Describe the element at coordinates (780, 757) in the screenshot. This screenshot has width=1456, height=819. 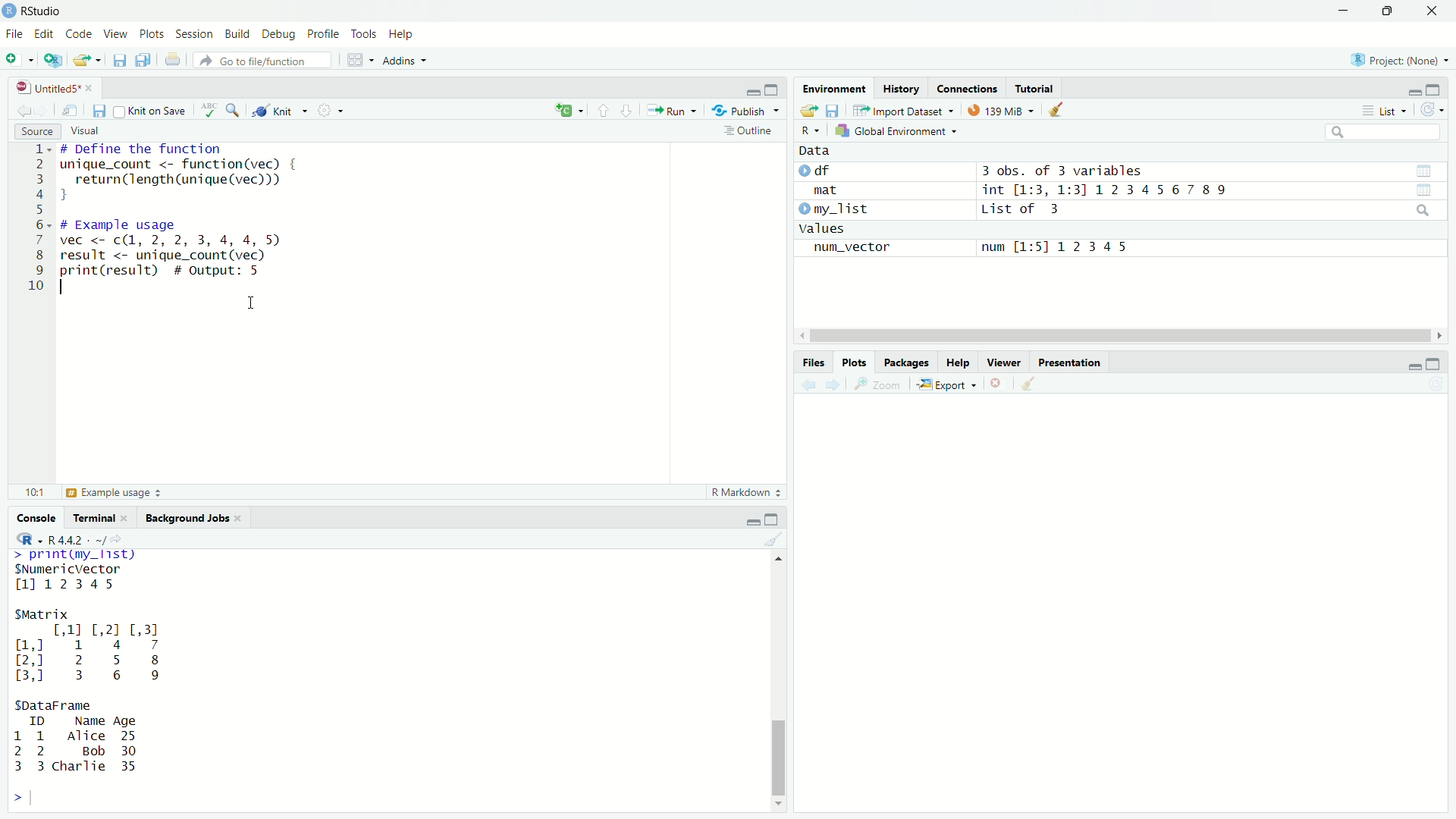
I see `scroll bar` at that location.